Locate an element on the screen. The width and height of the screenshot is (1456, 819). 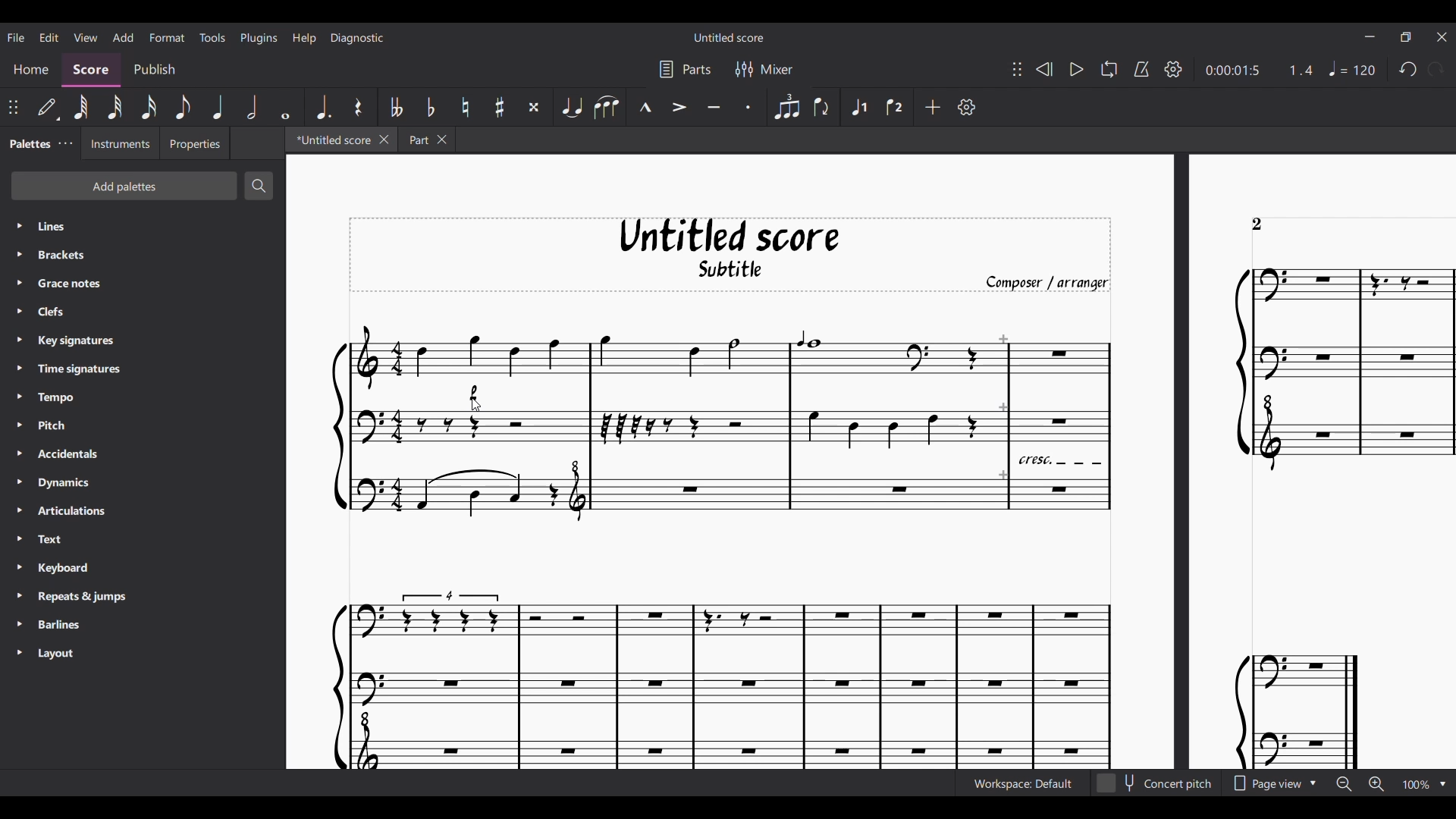
Add palettes is located at coordinates (124, 186).